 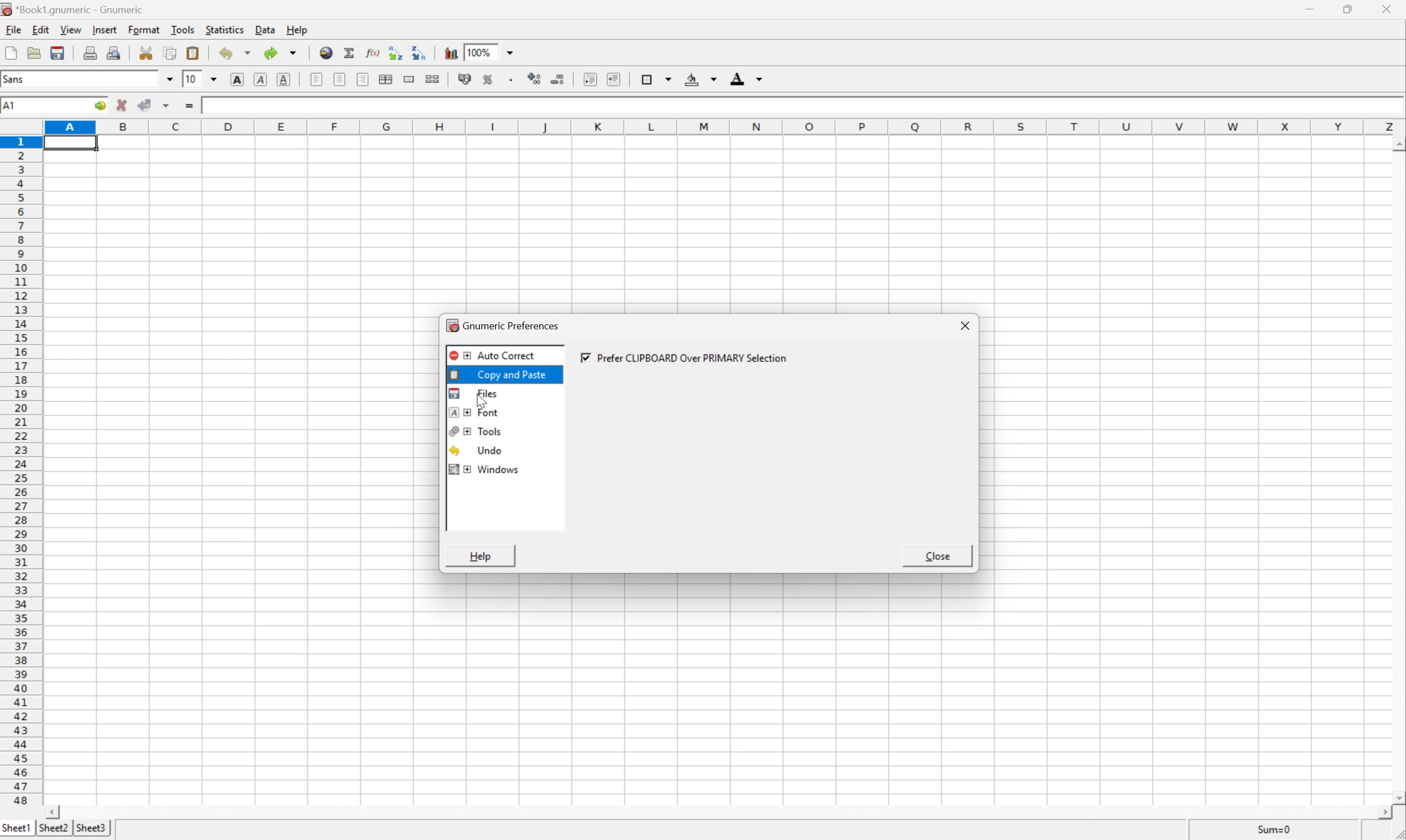 I want to click on data, so click(x=265, y=29).